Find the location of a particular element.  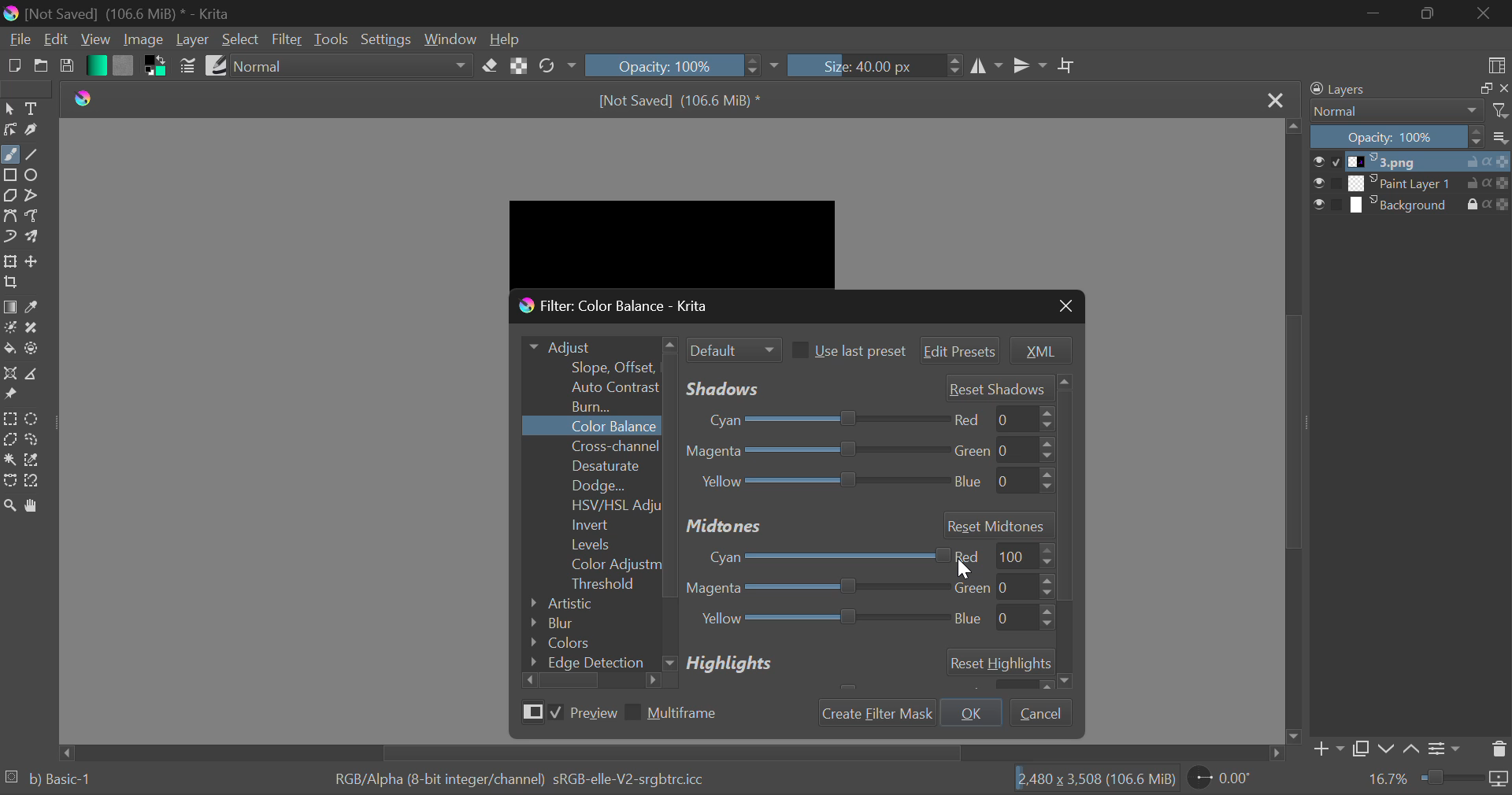

Image is located at coordinates (140, 39).